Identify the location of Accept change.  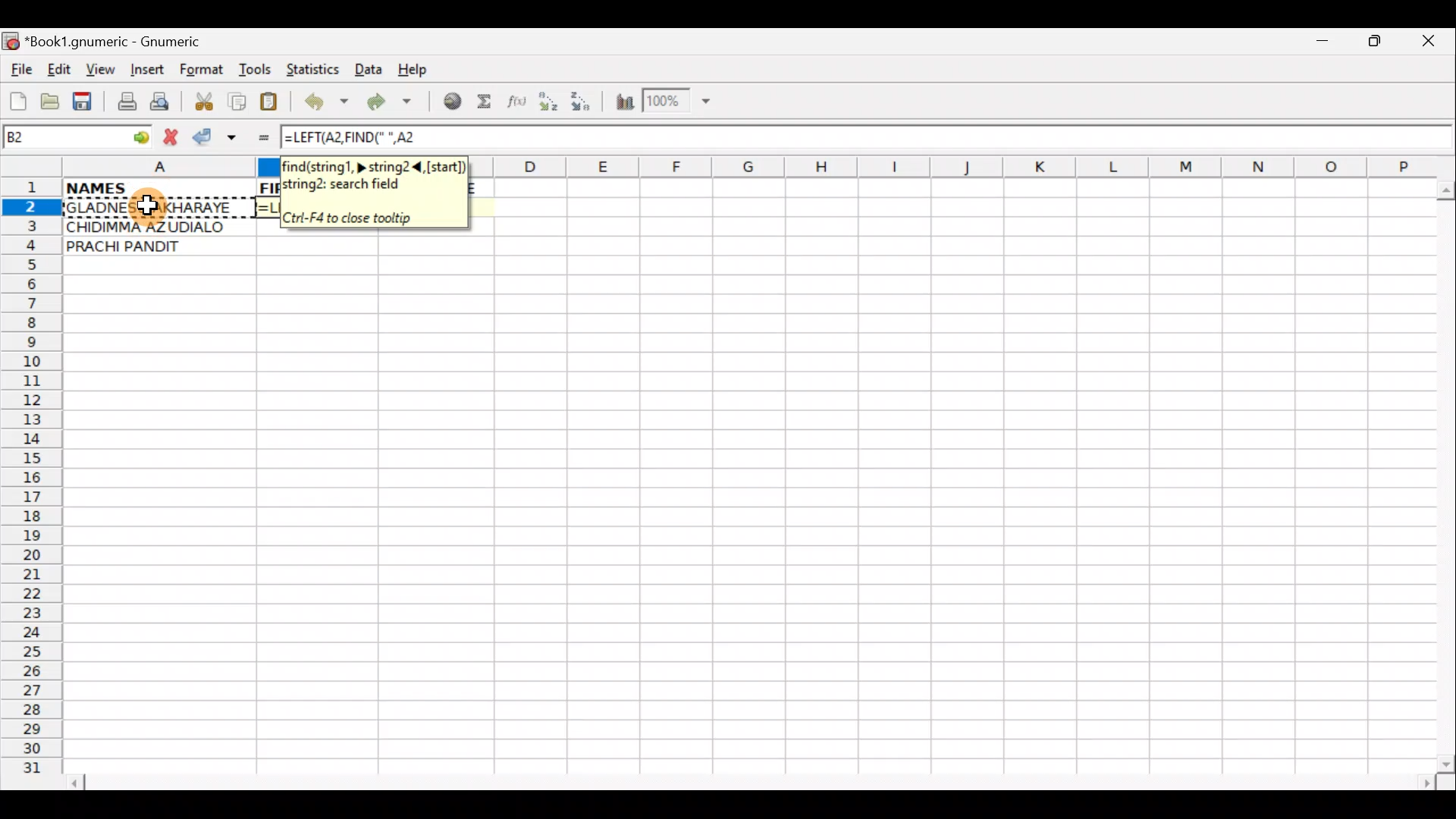
(215, 137).